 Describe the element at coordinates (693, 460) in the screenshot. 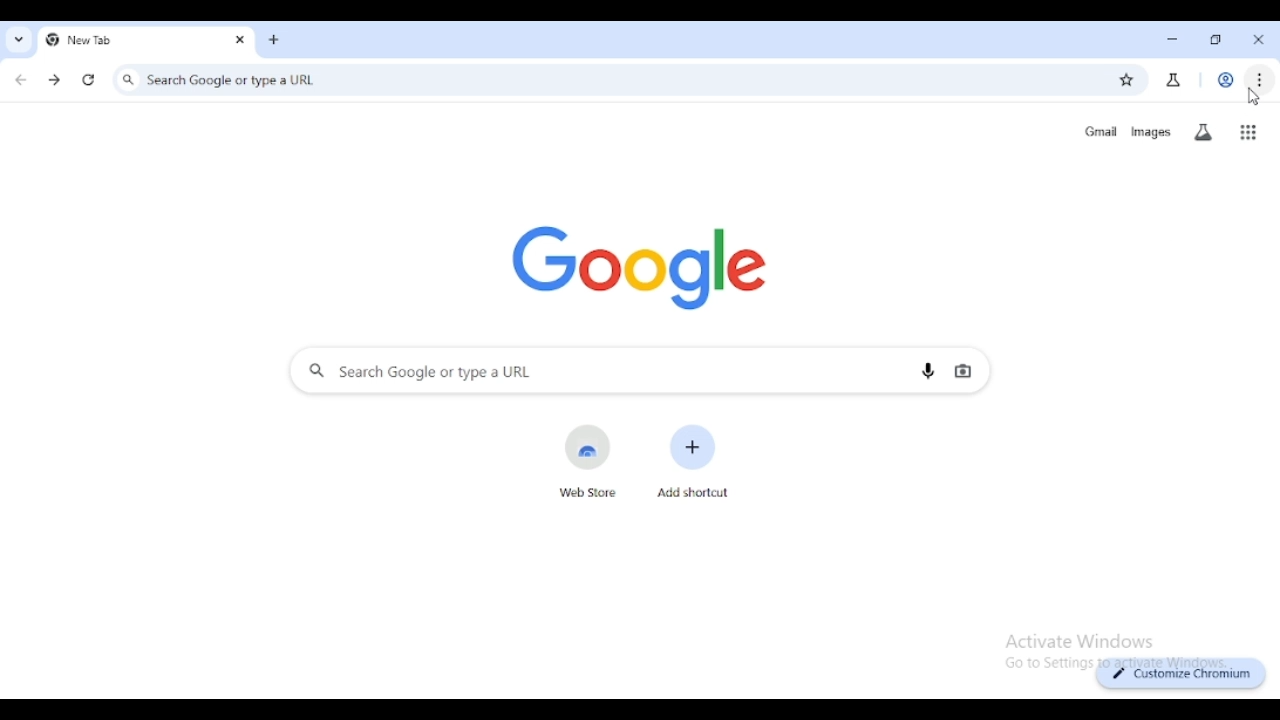

I see `add shortcut` at that location.